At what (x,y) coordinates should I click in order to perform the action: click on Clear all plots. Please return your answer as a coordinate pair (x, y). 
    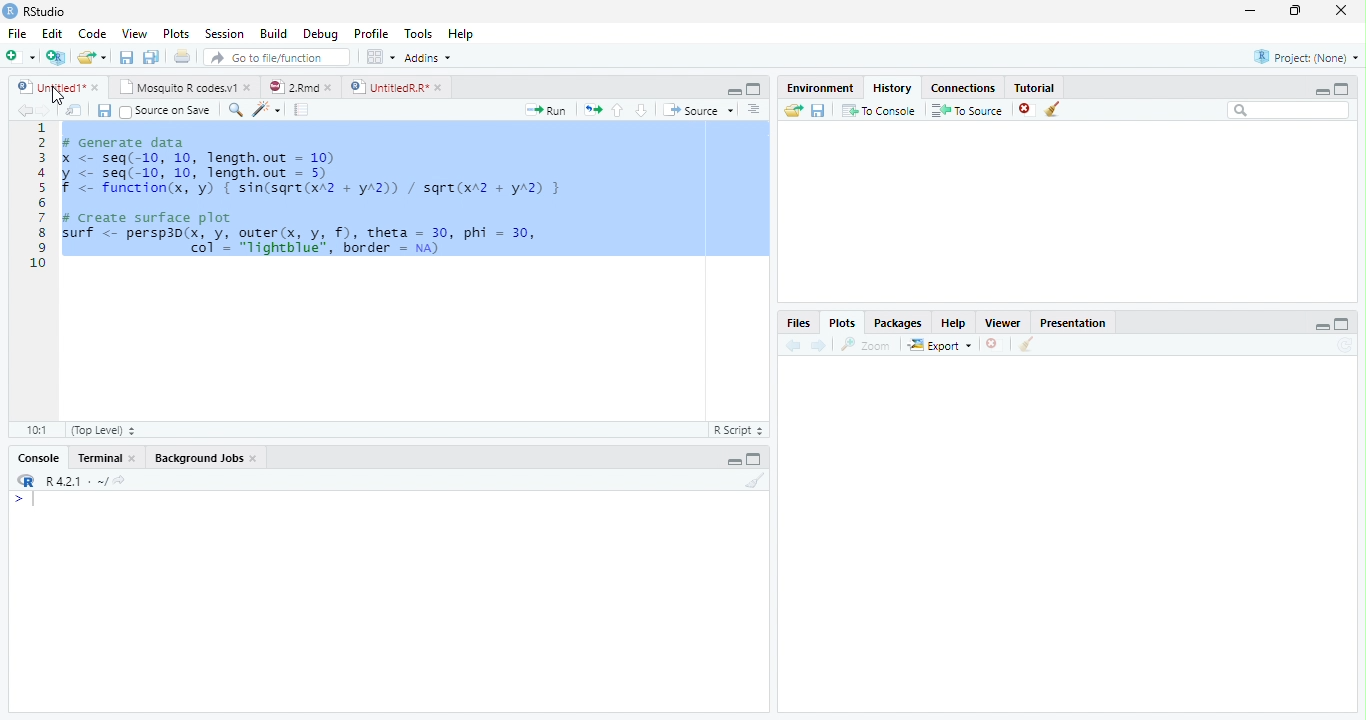
    Looking at the image, I should click on (1026, 344).